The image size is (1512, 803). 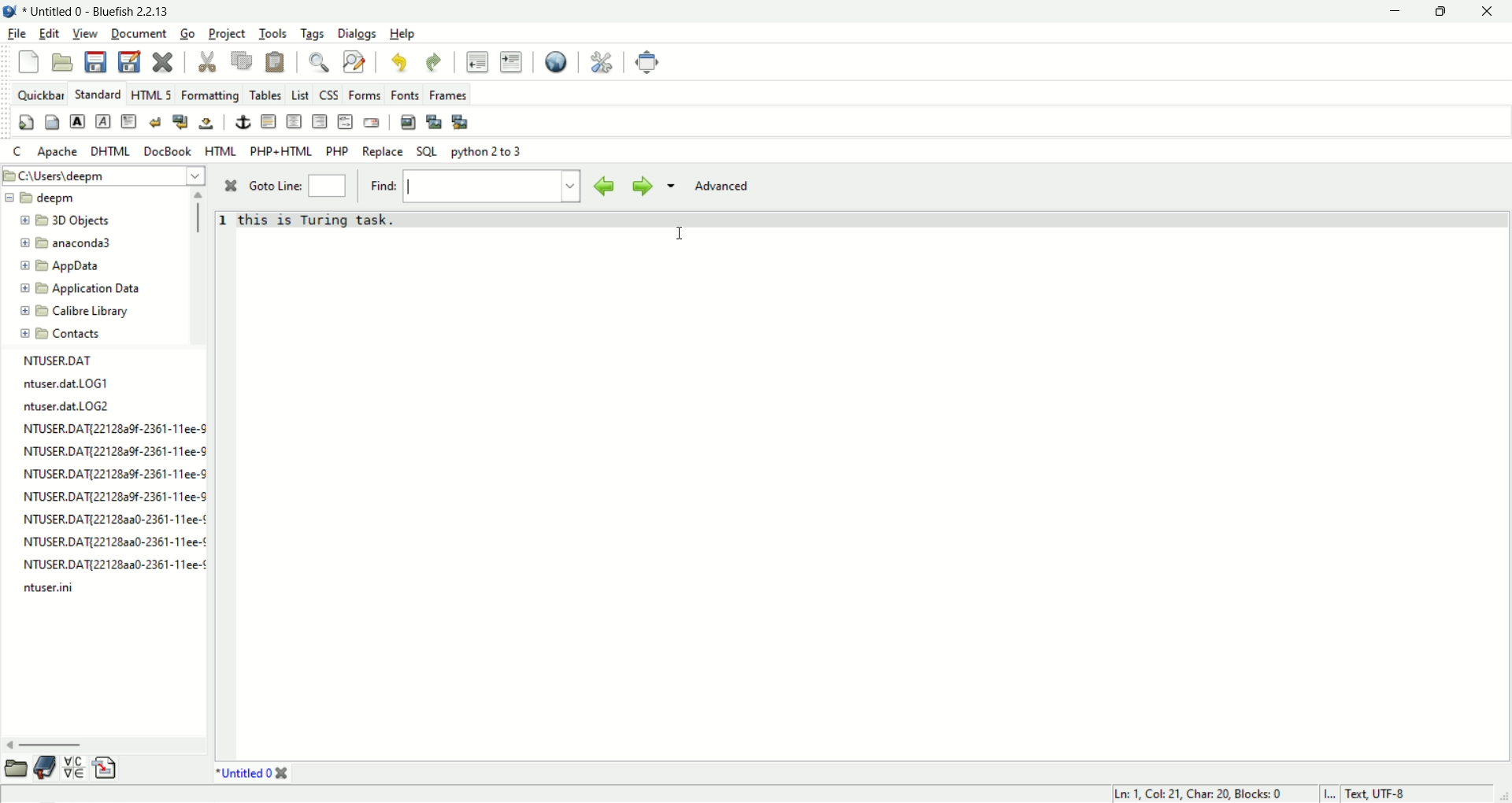 What do you see at coordinates (242, 61) in the screenshot?
I see `copy` at bounding box center [242, 61].